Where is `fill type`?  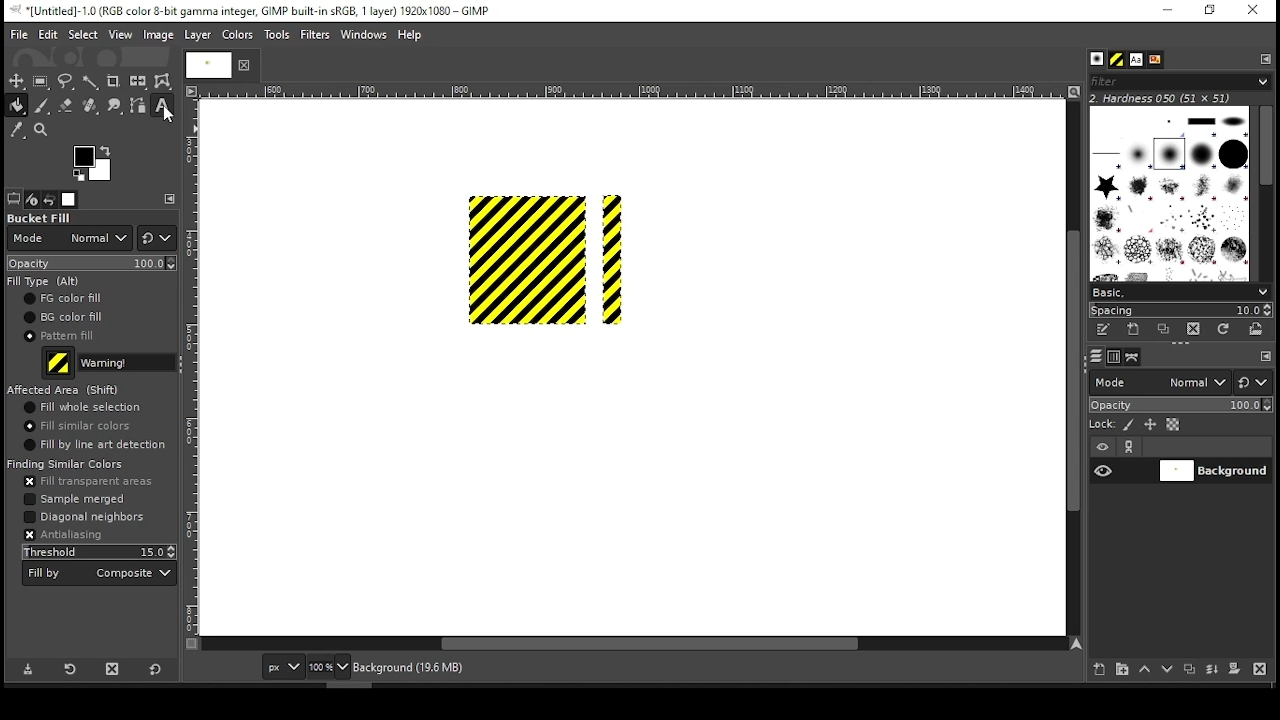
fill type is located at coordinates (128, 362).